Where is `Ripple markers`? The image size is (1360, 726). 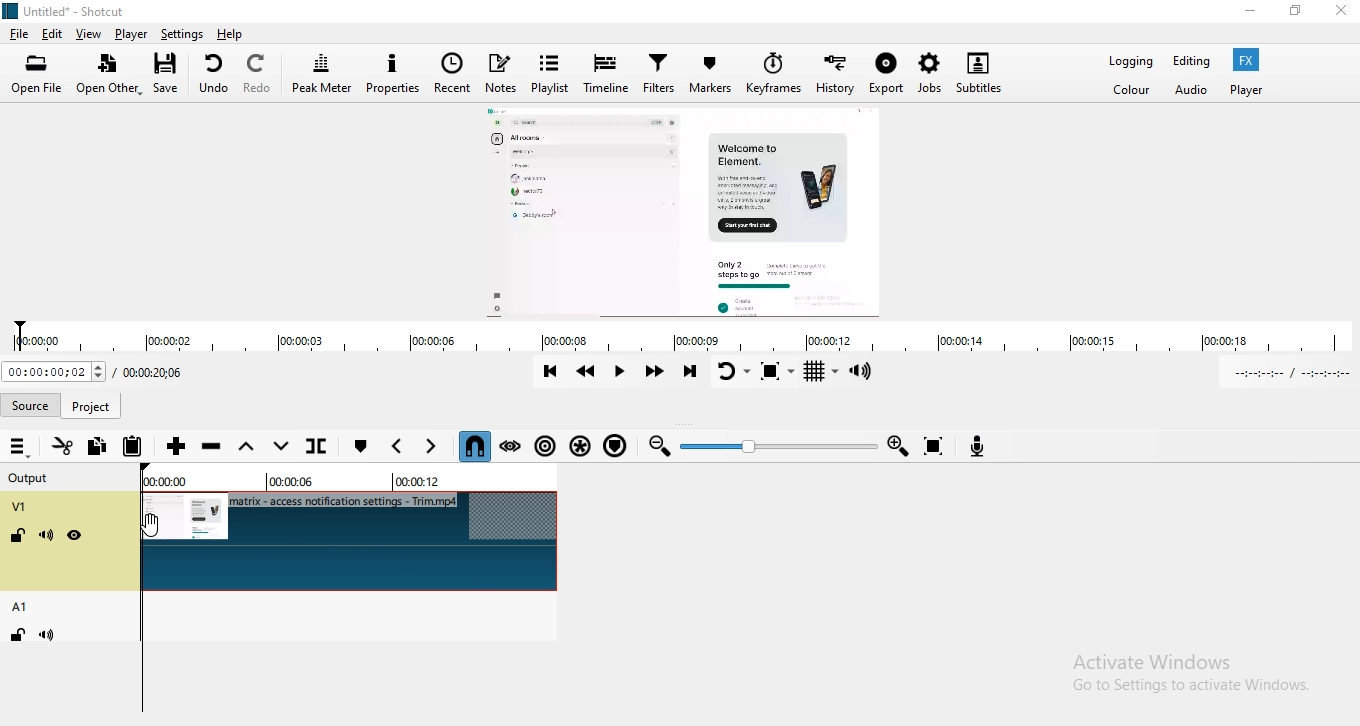
Ripple markers is located at coordinates (616, 444).